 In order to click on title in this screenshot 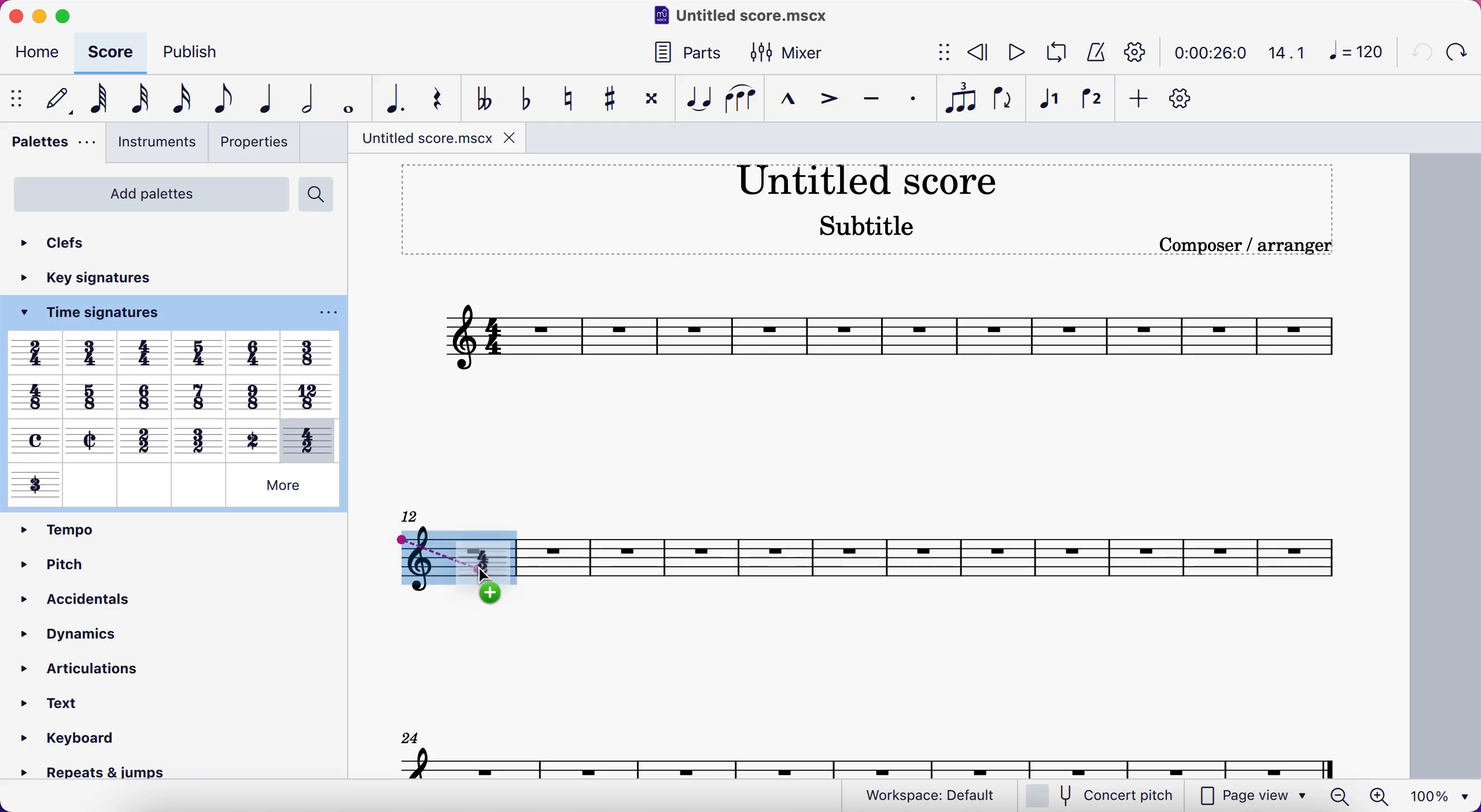, I will do `click(867, 179)`.